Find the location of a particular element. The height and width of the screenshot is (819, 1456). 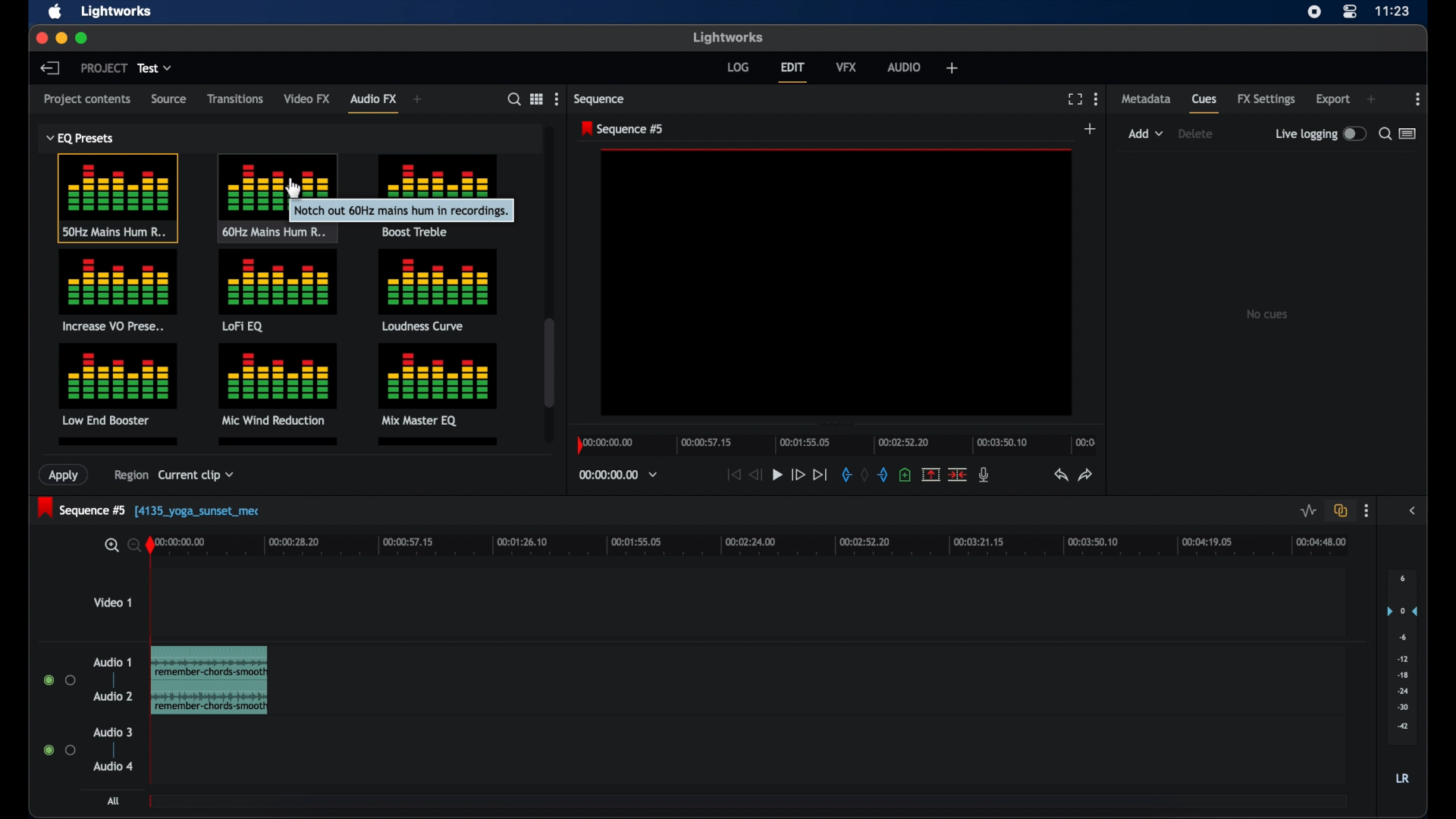

back is located at coordinates (49, 67).